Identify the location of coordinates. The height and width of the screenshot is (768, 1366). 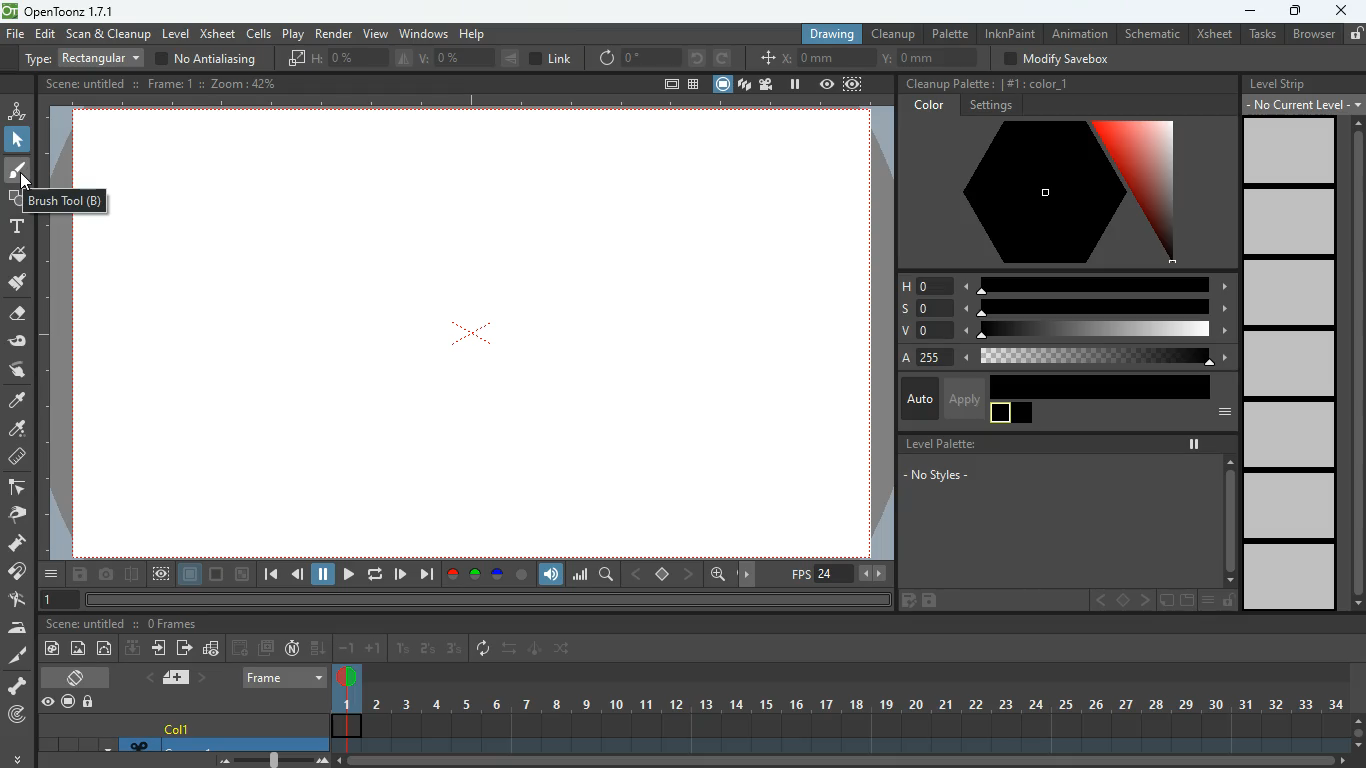
(873, 59).